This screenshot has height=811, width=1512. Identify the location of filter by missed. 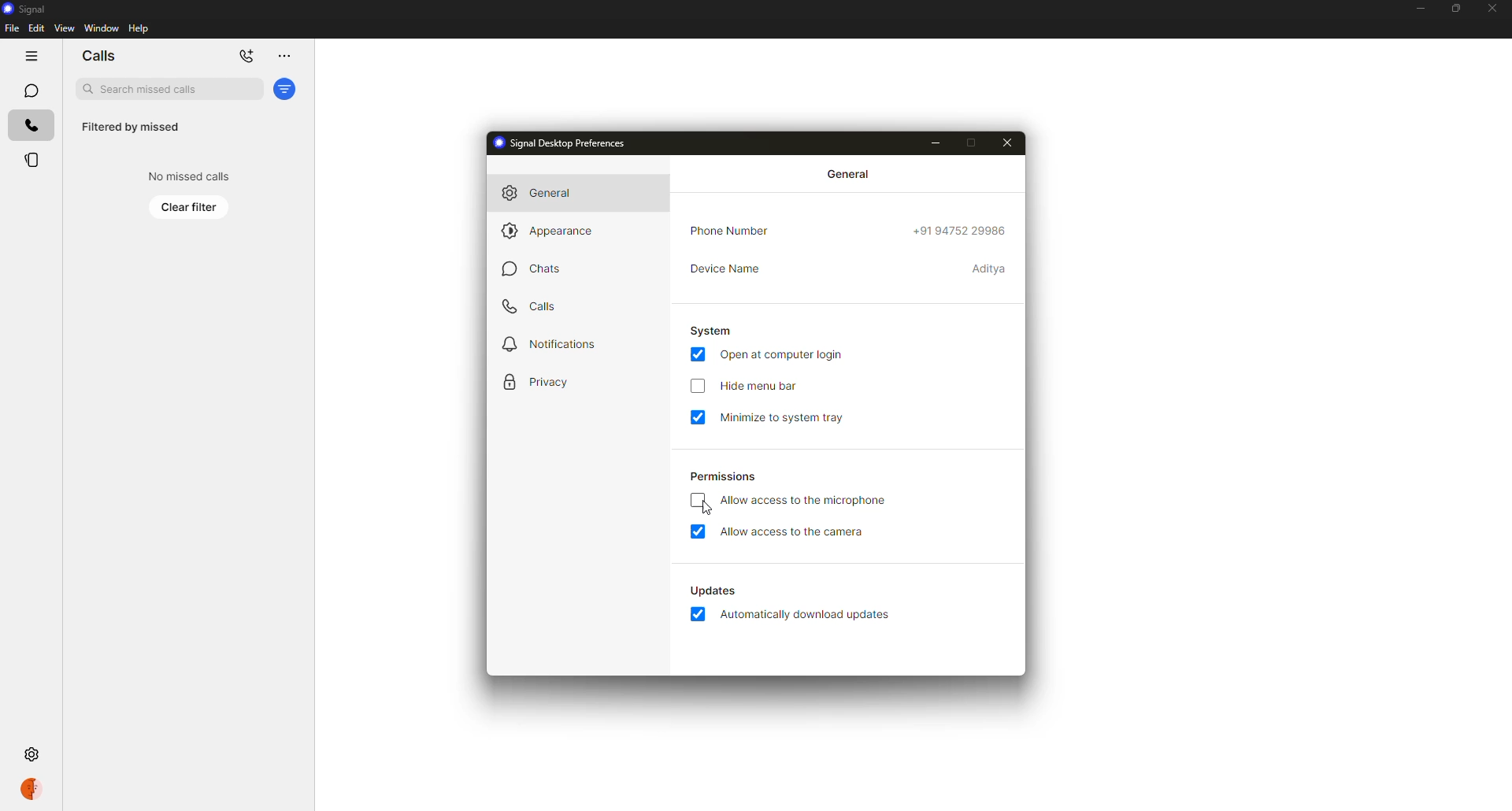
(129, 128).